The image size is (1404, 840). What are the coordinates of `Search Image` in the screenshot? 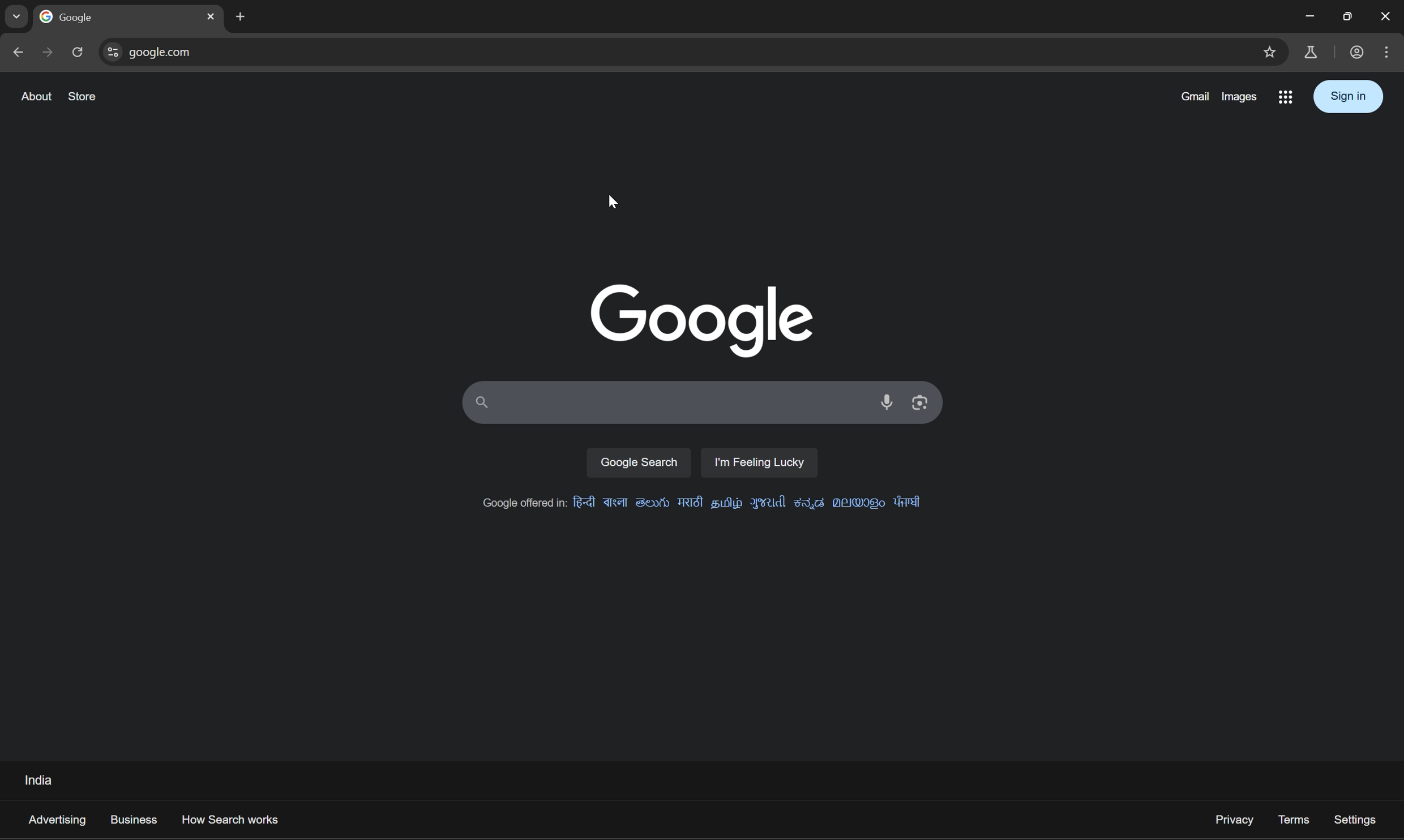 It's located at (920, 401).